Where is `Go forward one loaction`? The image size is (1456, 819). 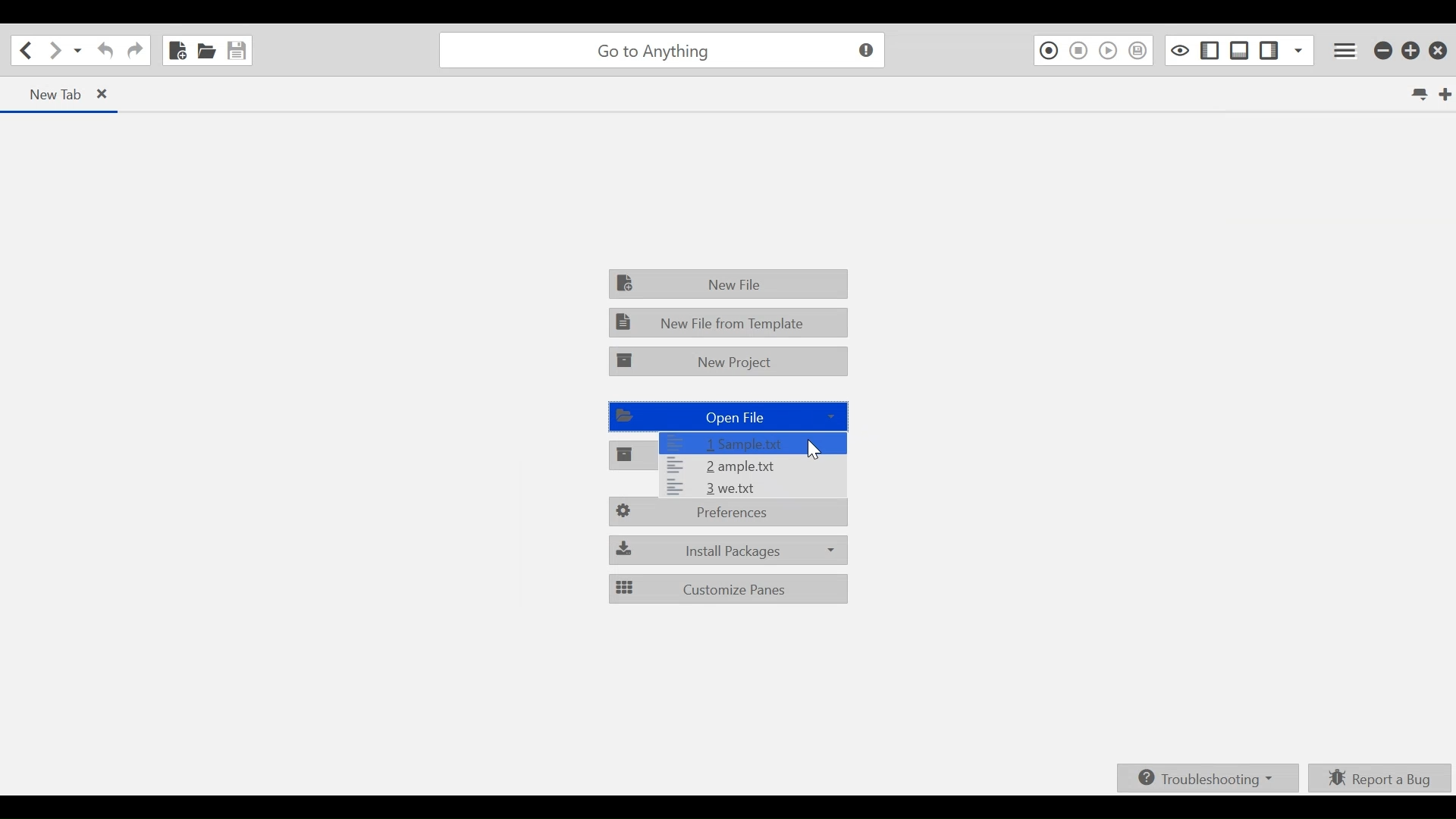
Go forward one loaction is located at coordinates (54, 51).